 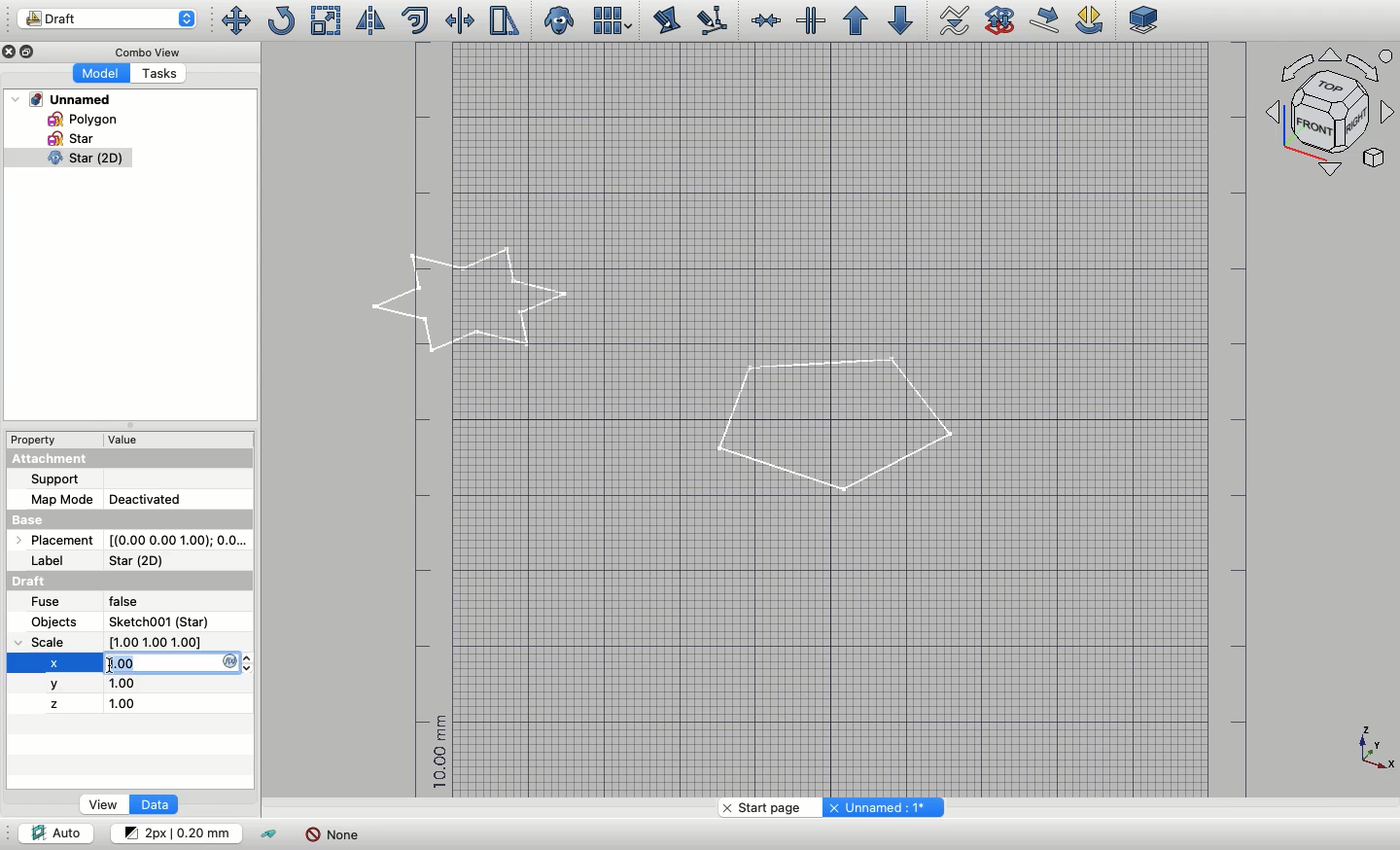 I want to click on Draft, so click(x=46, y=580).